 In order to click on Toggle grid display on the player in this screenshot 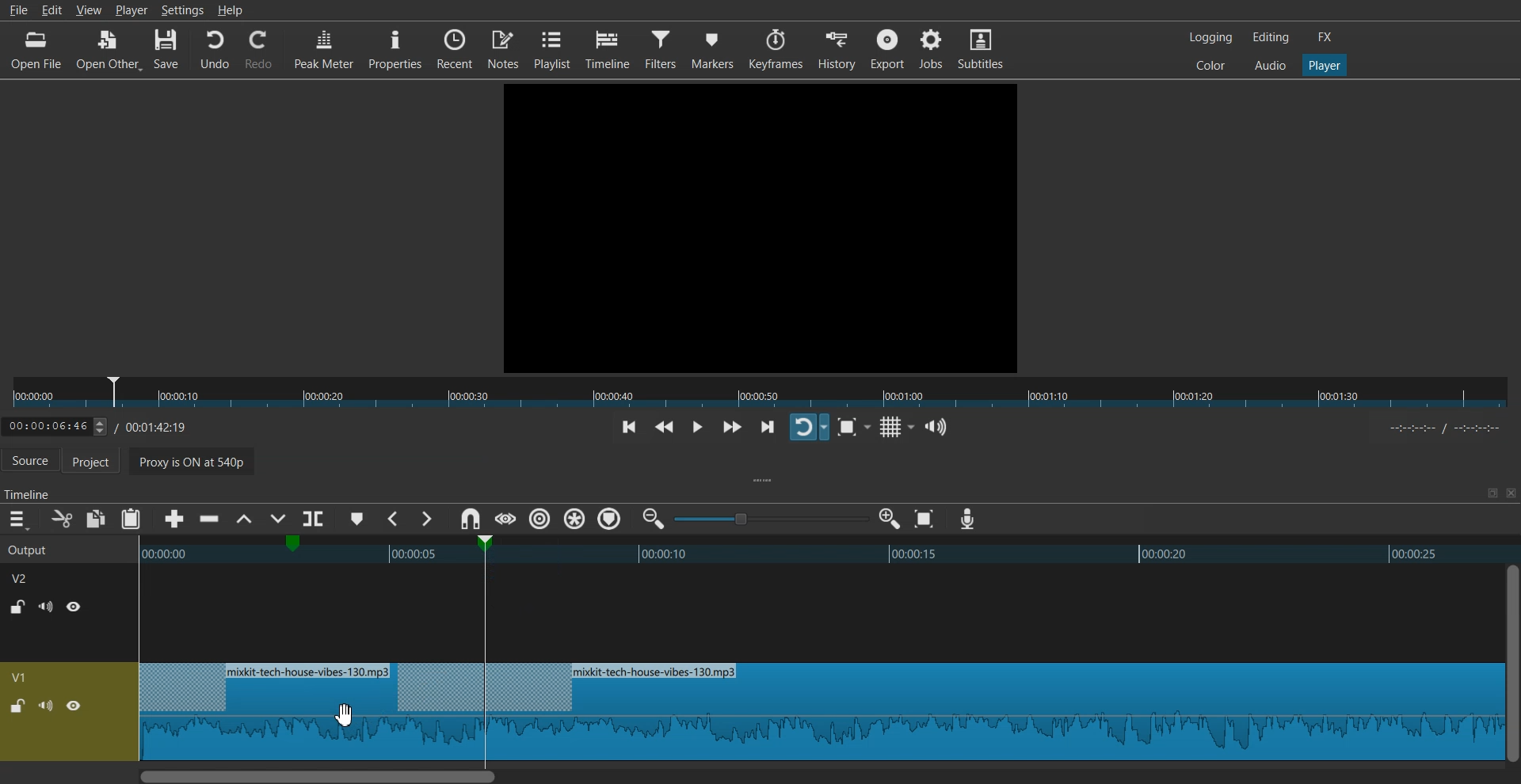, I will do `click(894, 428)`.